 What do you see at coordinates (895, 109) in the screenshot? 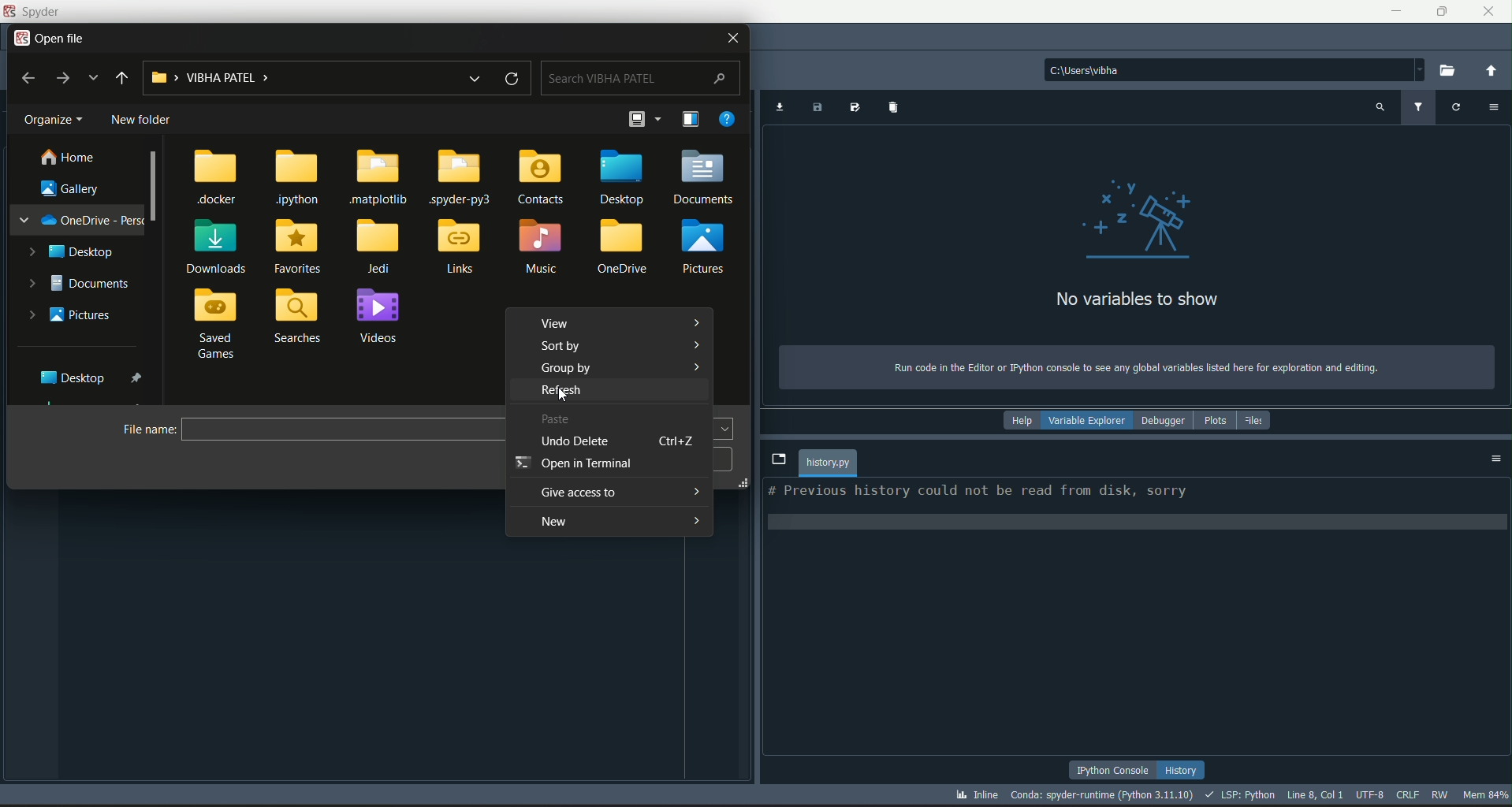
I see `remove variables` at bounding box center [895, 109].